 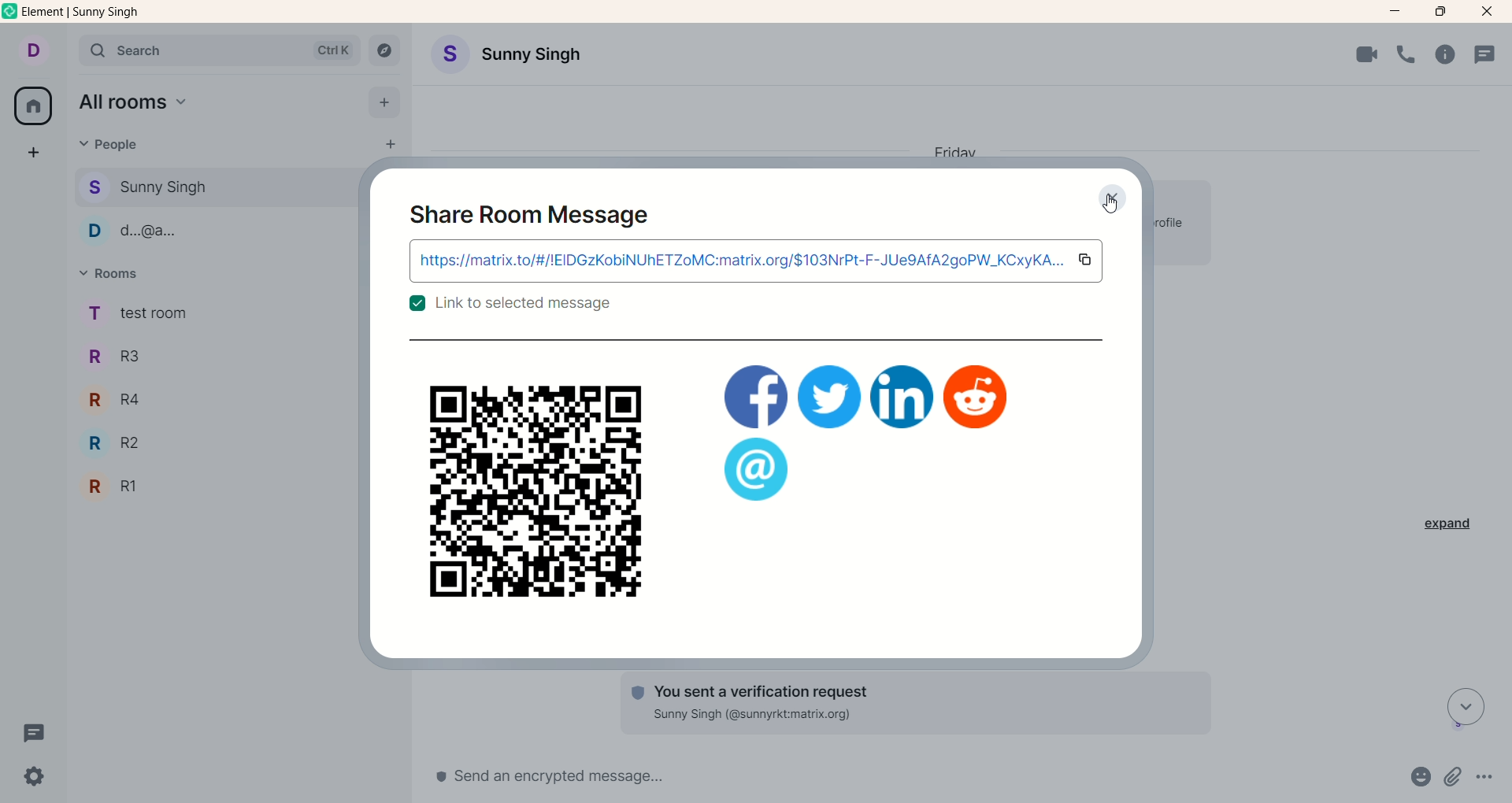 What do you see at coordinates (1438, 12) in the screenshot?
I see `maximize` at bounding box center [1438, 12].